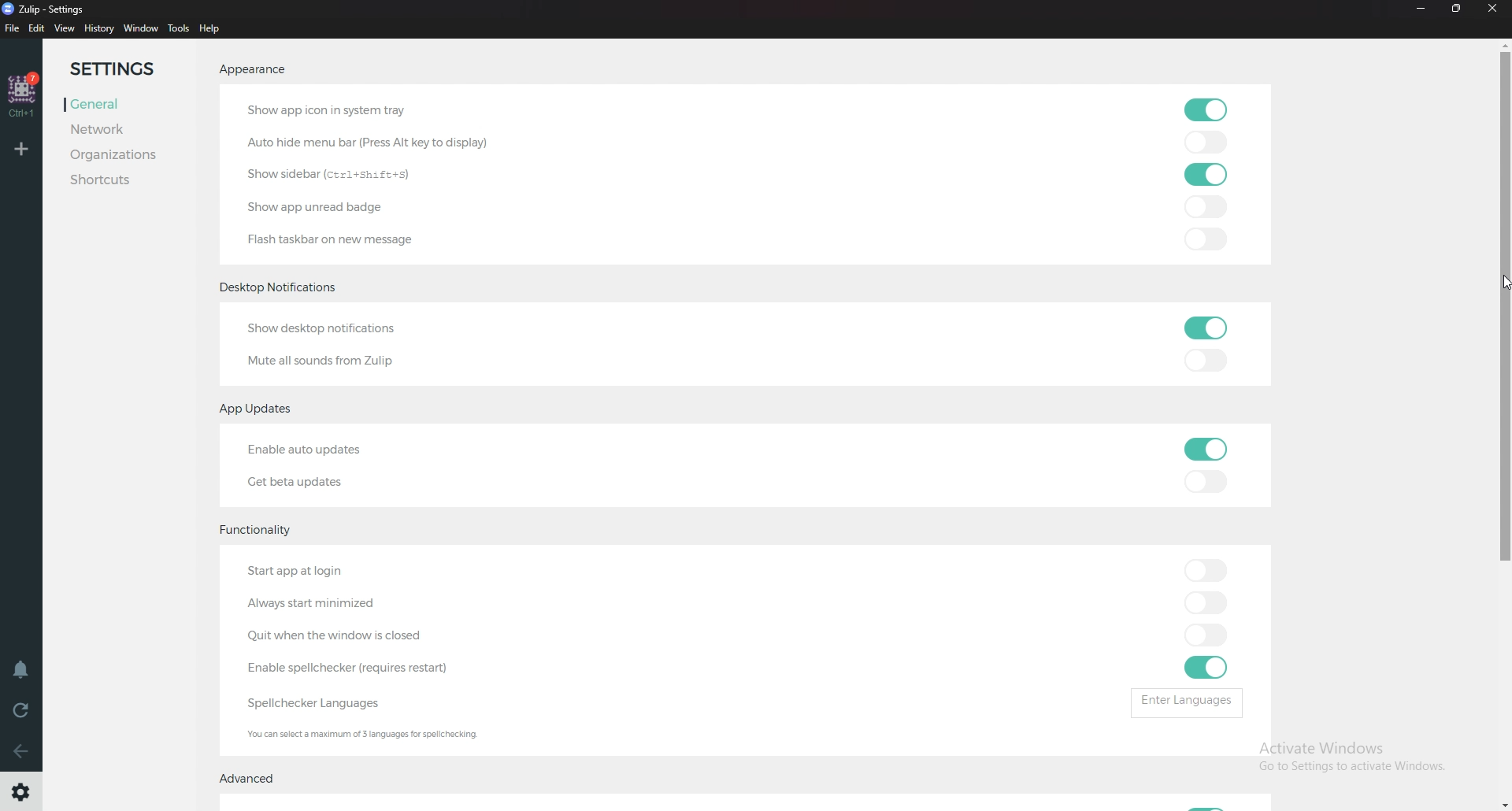 This screenshot has width=1512, height=811. Describe the element at coordinates (179, 28) in the screenshot. I see `Tools` at that location.